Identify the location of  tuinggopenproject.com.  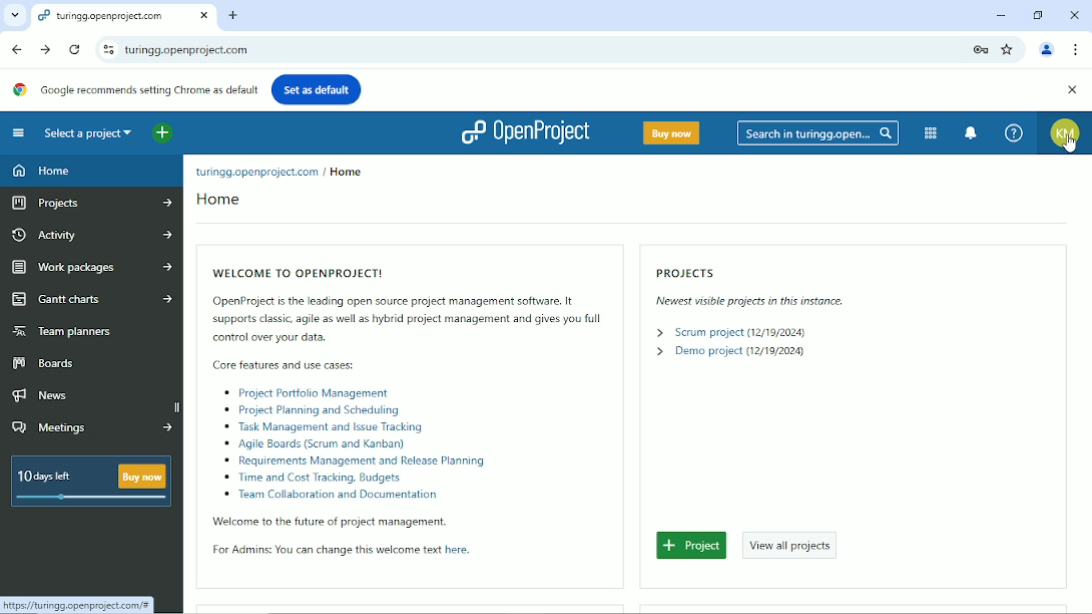
(113, 15).